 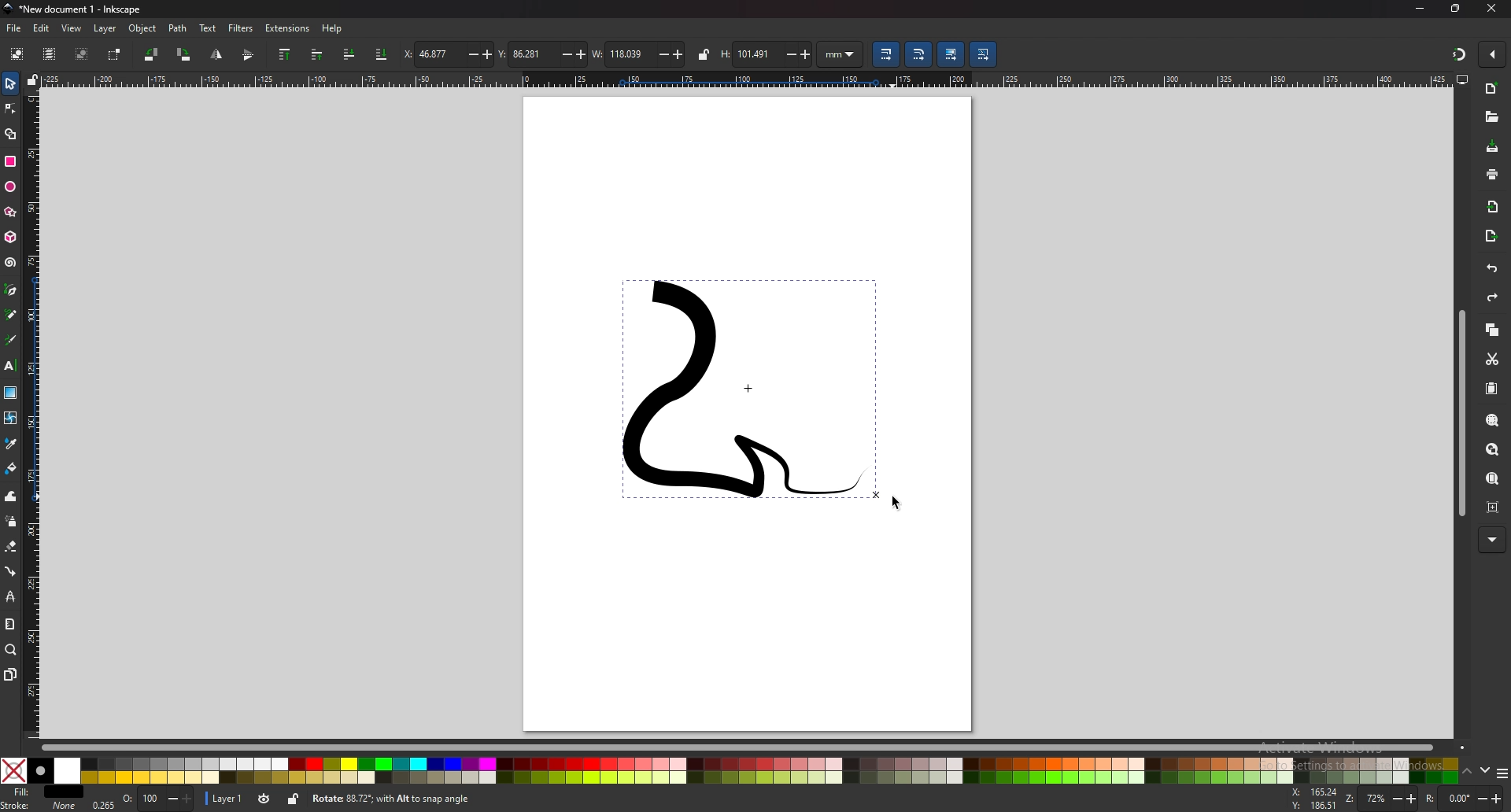 What do you see at coordinates (1489, 9) in the screenshot?
I see `CLOSE` at bounding box center [1489, 9].